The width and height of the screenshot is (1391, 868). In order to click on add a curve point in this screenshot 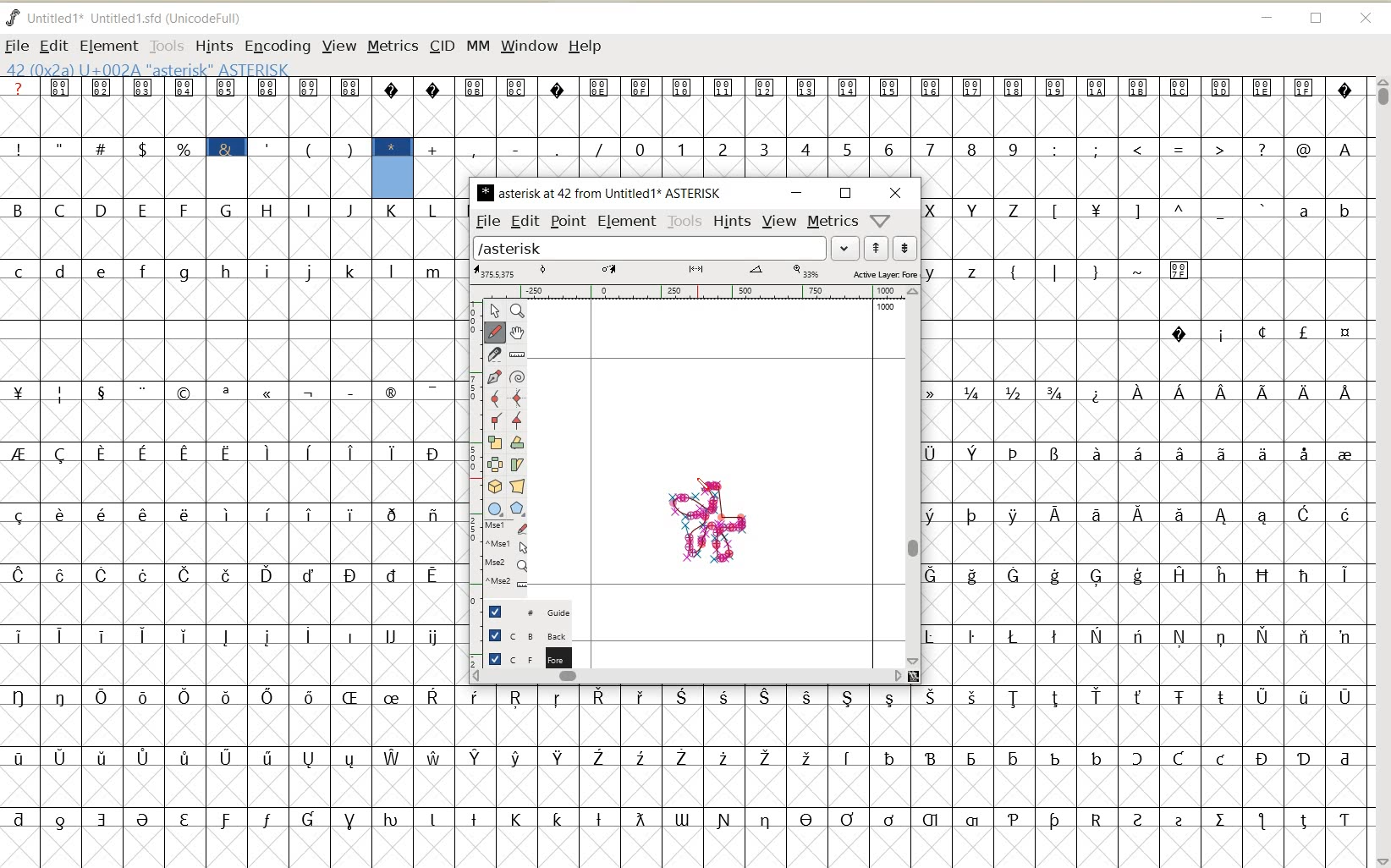, I will do `click(494, 398)`.